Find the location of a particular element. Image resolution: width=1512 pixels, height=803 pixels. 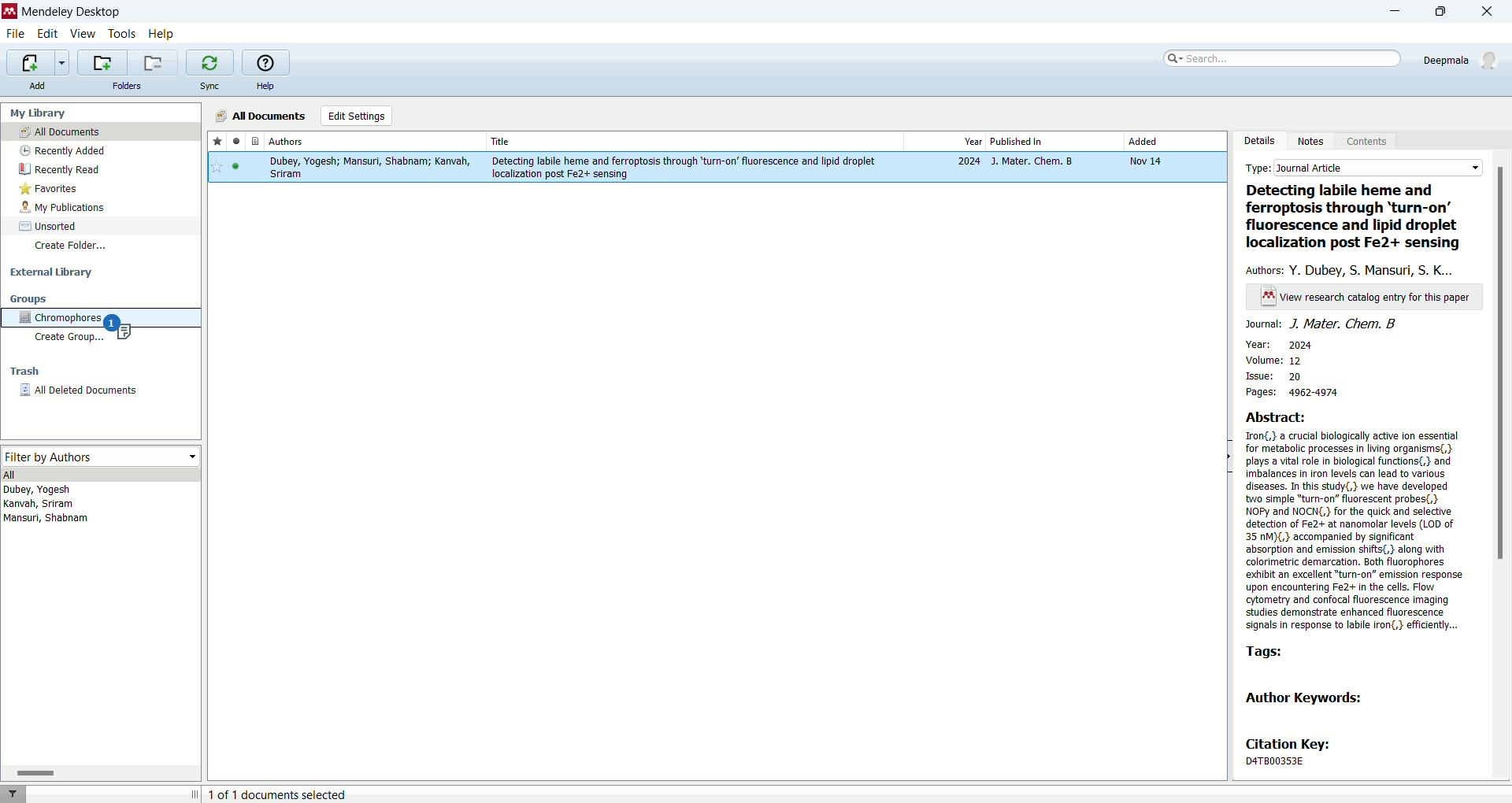

| DA4TBO03S3E is located at coordinates (1289, 760).